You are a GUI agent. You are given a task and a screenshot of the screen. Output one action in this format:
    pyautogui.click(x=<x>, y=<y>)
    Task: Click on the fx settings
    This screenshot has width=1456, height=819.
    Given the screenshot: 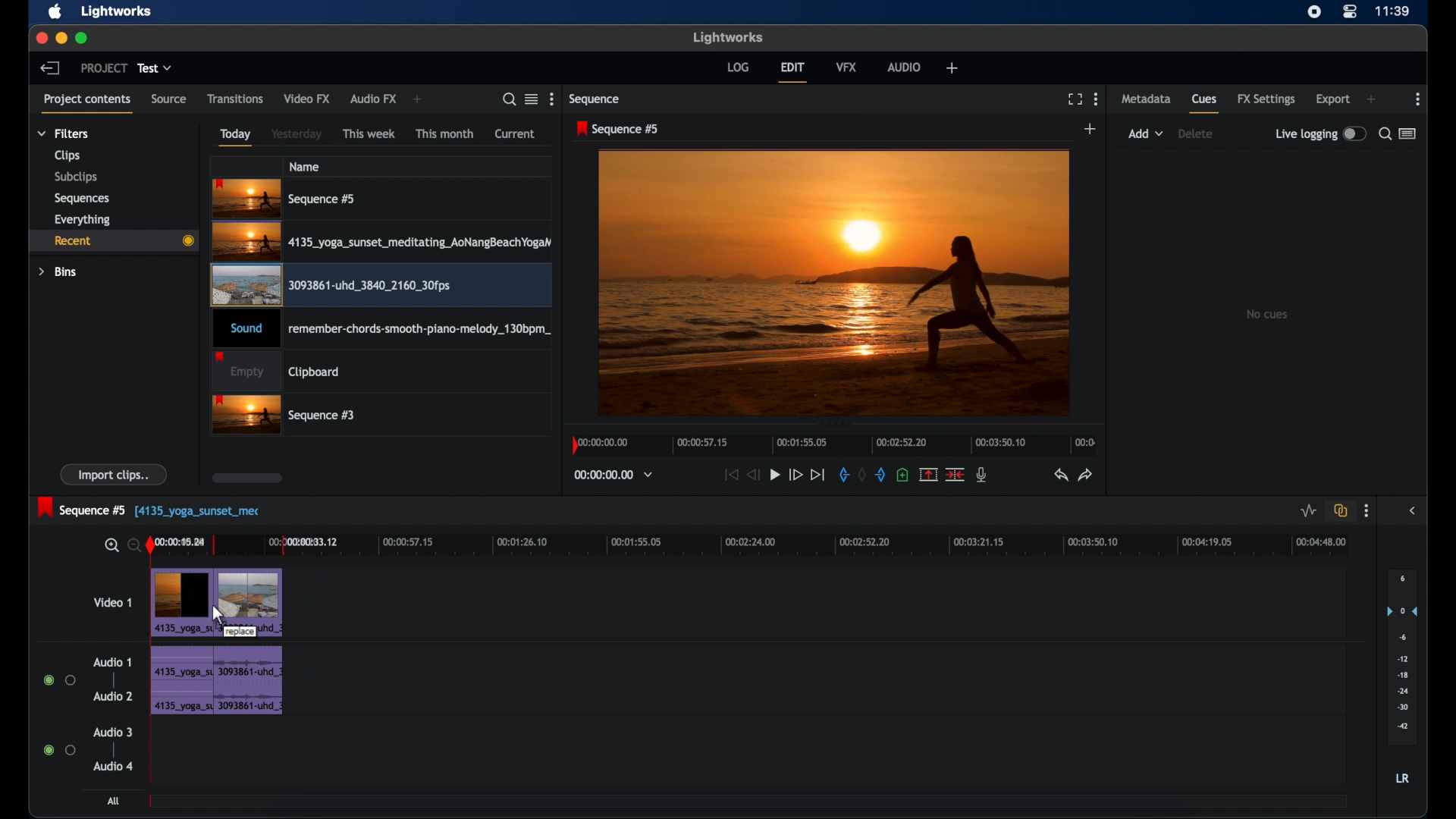 What is the action you would take?
    pyautogui.click(x=1268, y=99)
    